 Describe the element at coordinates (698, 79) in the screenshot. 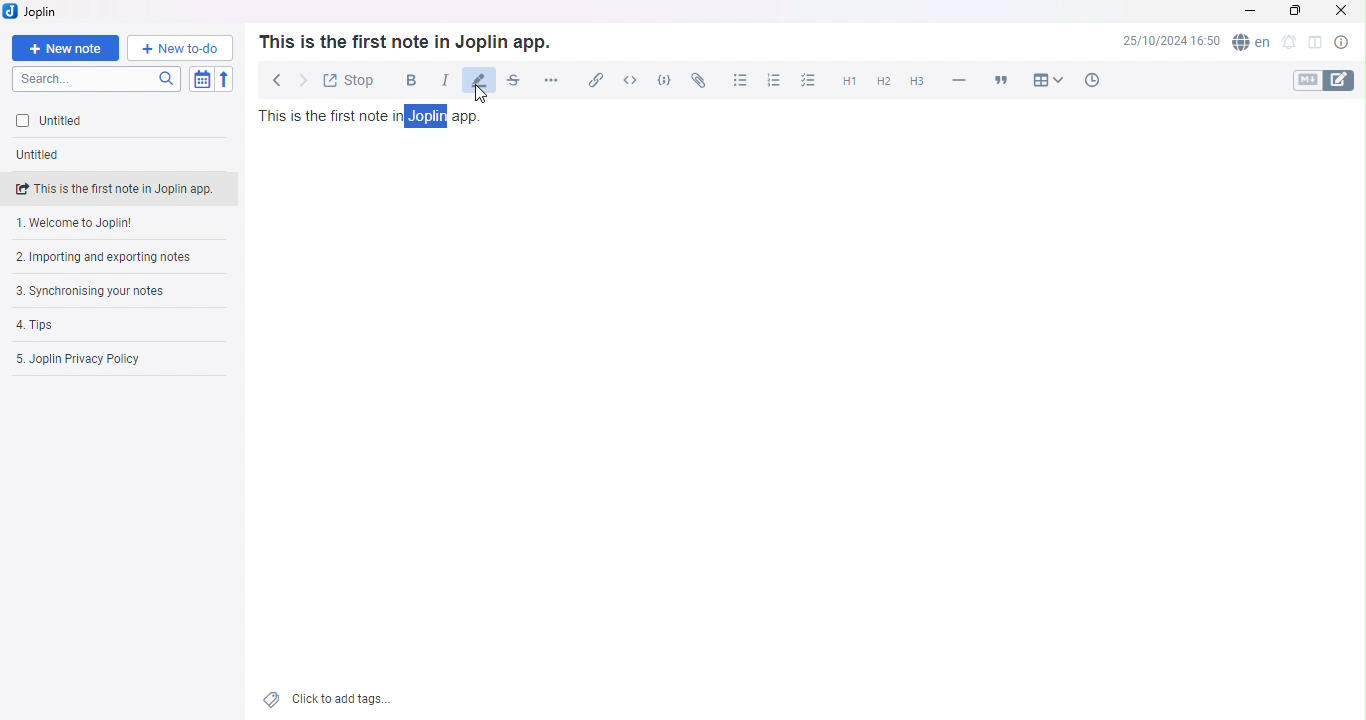

I see `Attach file` at that location.